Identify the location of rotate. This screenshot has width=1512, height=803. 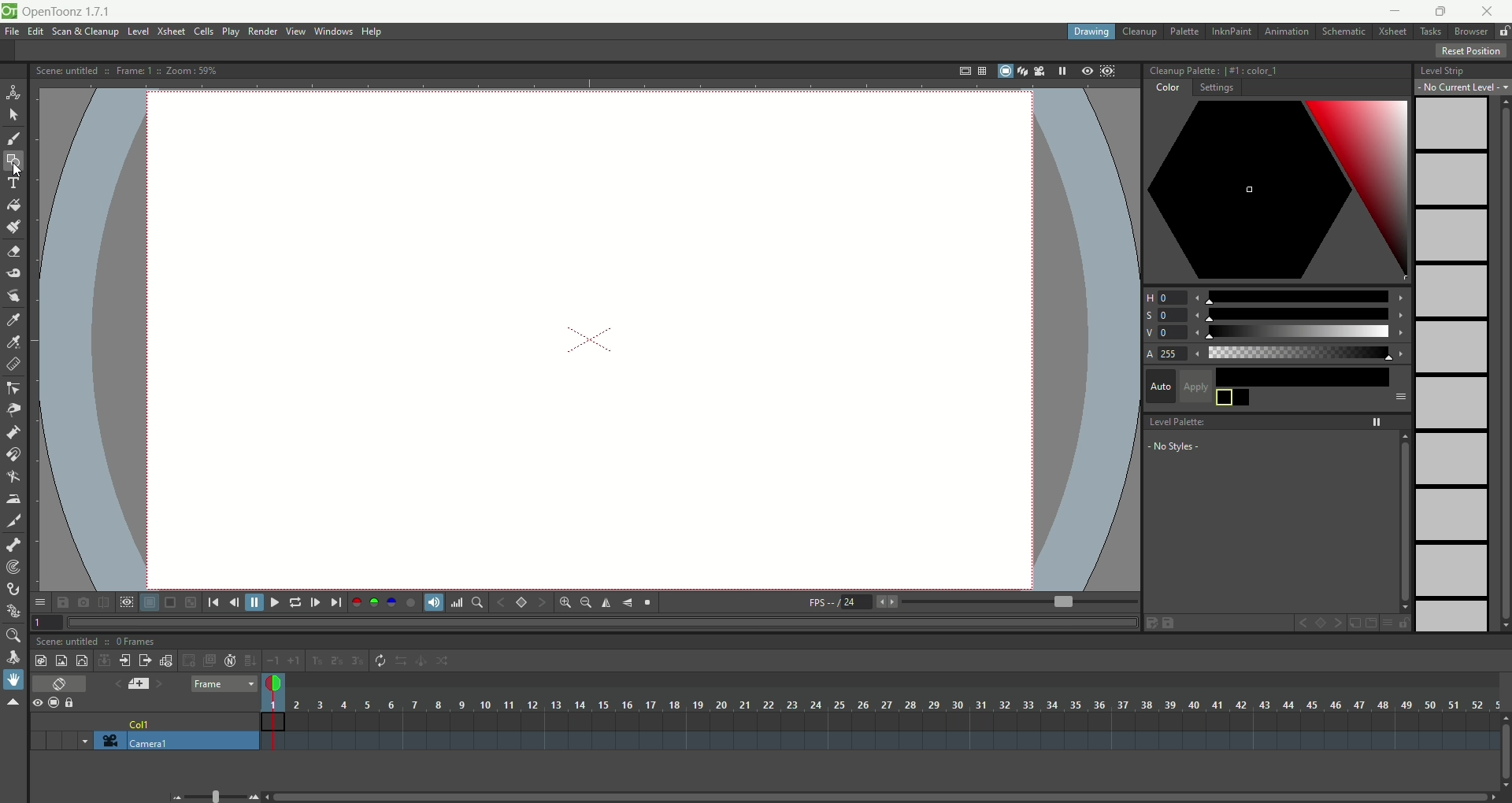
(16, 658).